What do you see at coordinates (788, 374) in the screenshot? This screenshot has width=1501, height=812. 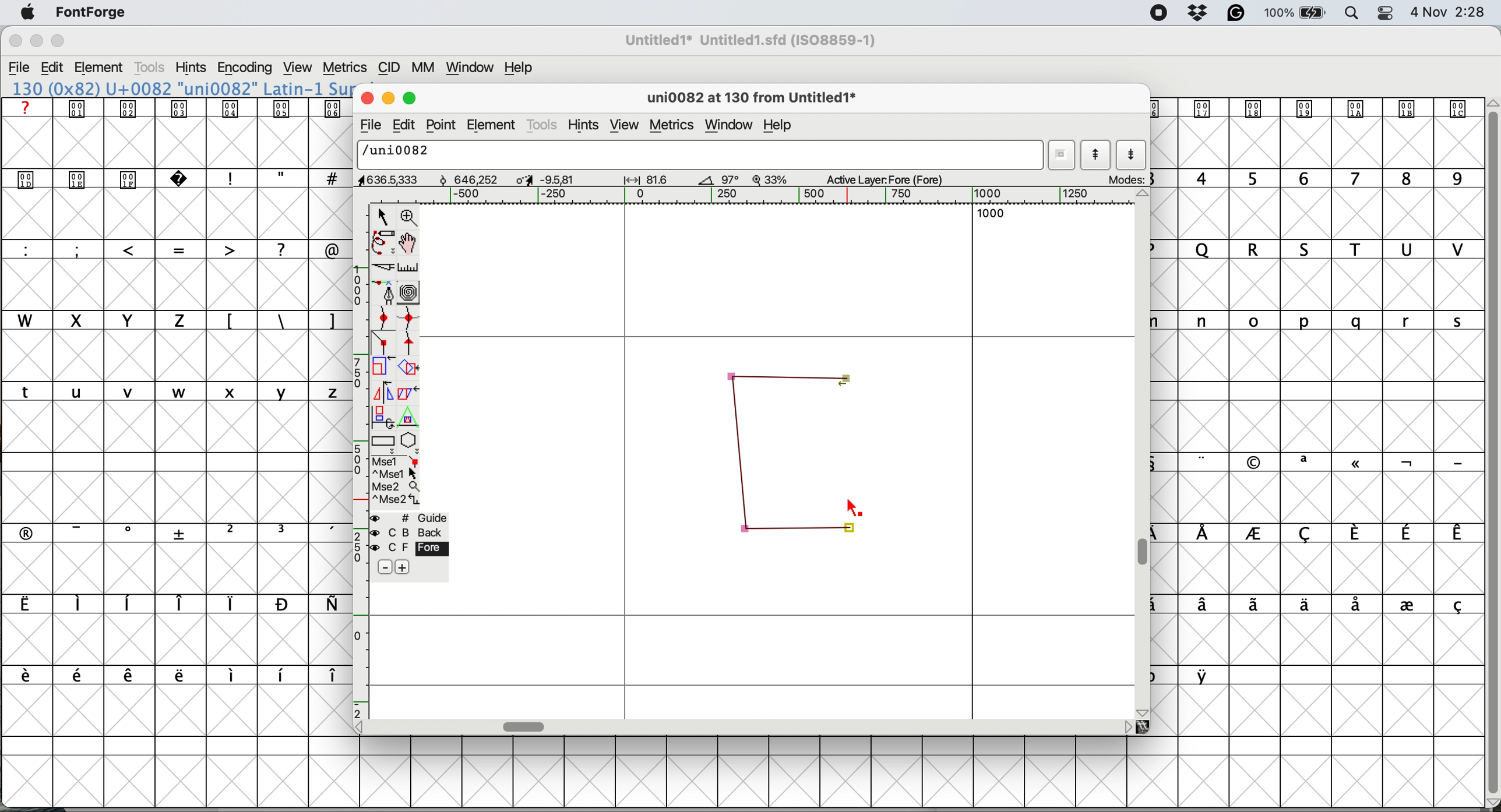 I see `corner points connected` at bounding box center [788, 374].